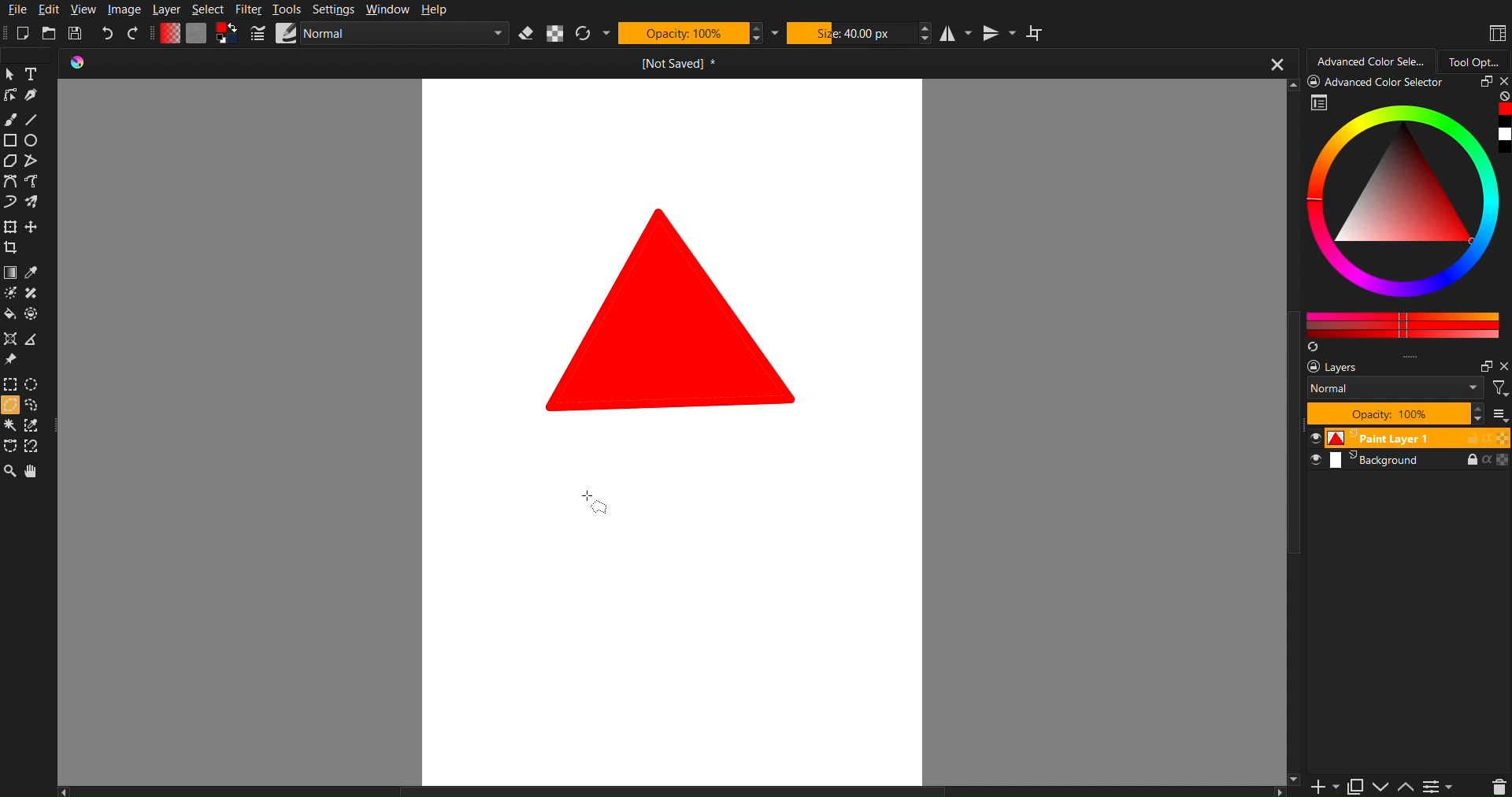 The width and height of the screenshot is (1512, 797). What do you see at coordinates (14, 10) in the screenshot?
I see `File` at bounding box center [14, 10].